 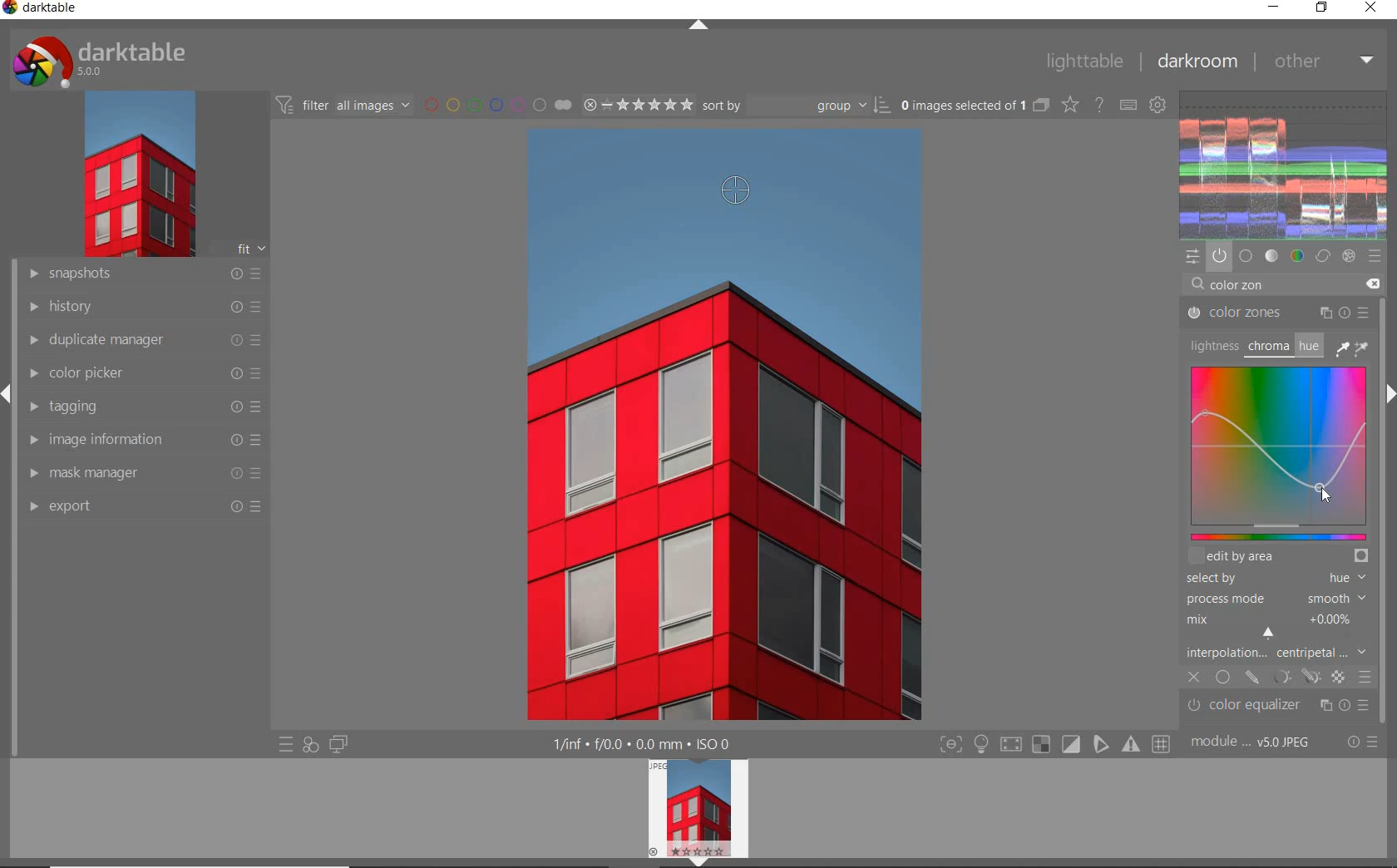 What do you see at coordinates (1227, 288) in the screenshot?
I see `INPUT VALUE` at bounding box center [1227, 288].